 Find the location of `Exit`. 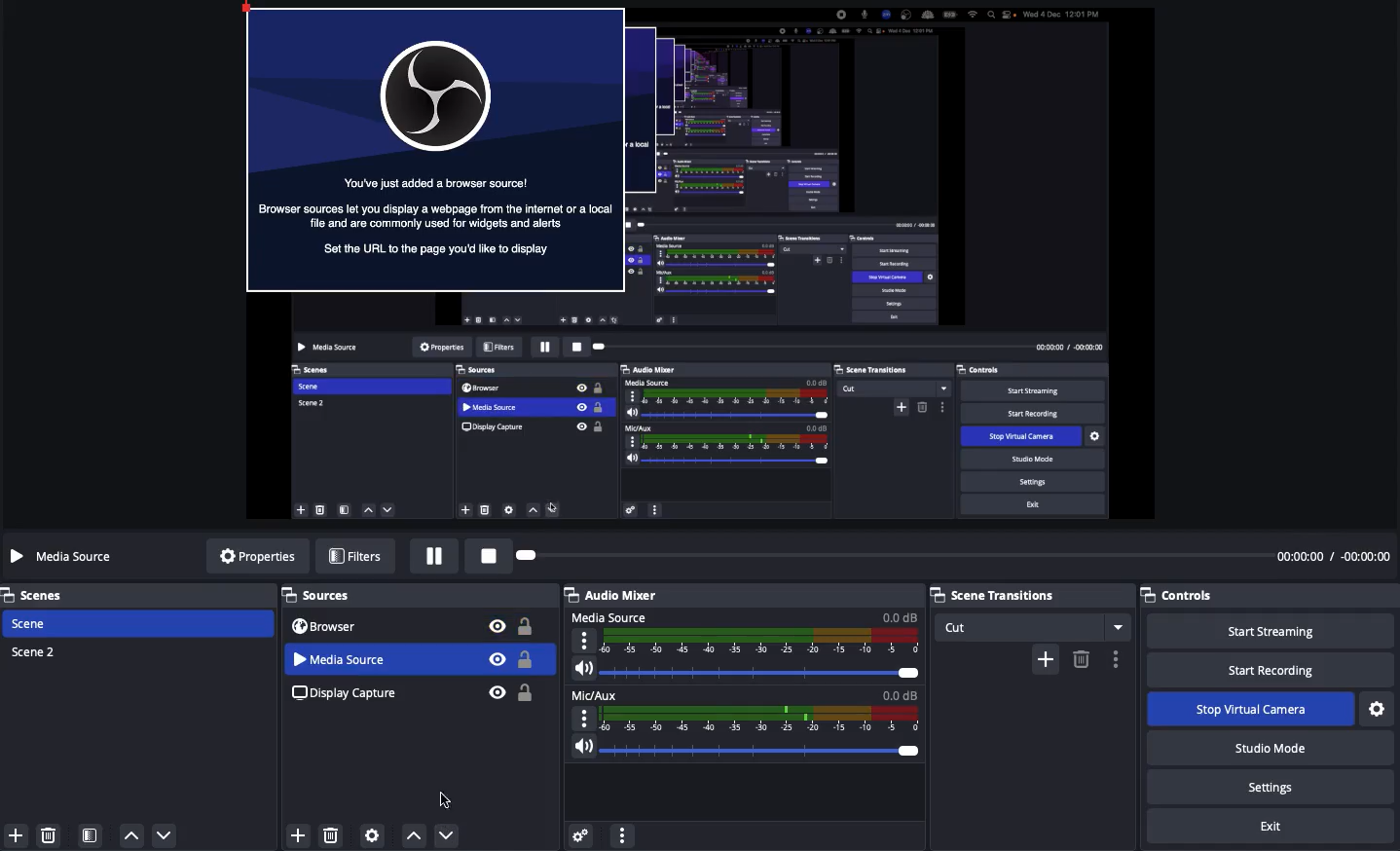

Exit is located at coordinates (1276, 827).